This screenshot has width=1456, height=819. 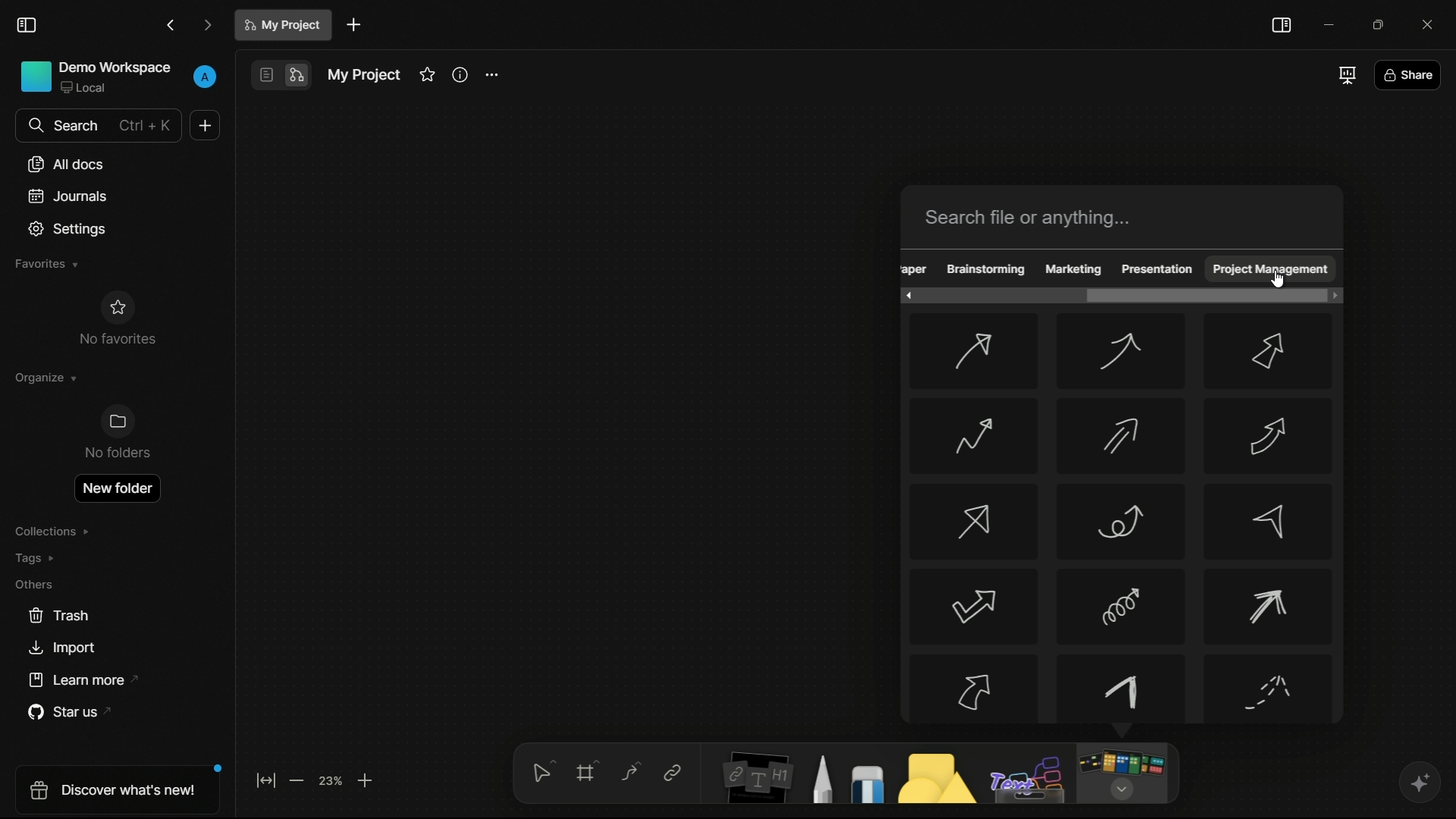 What do you see at coordinates (206, 74) in the screenshot?
I see `profile icon` at bounding box center [206, 74].